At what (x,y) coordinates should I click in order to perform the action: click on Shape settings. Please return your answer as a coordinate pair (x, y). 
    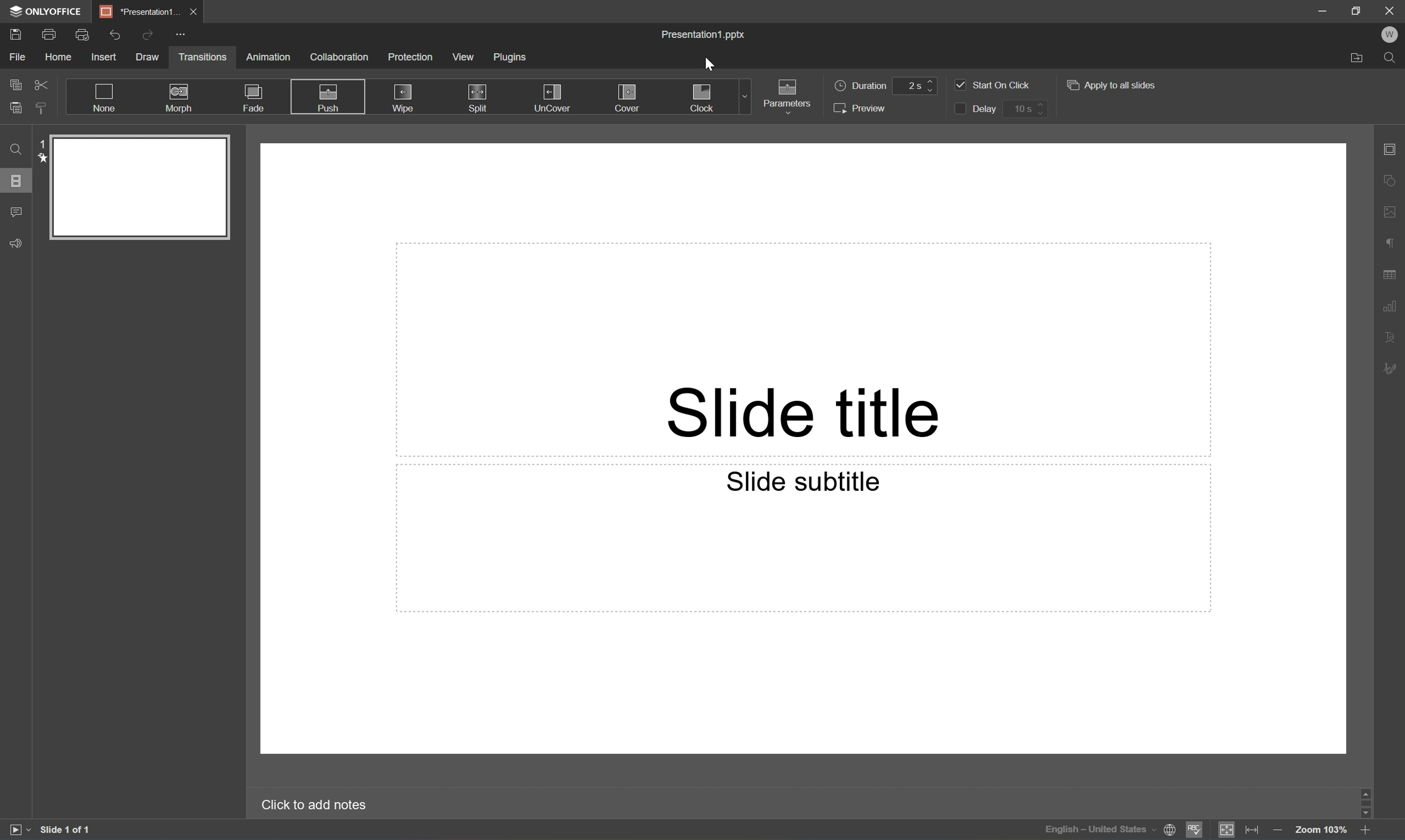
    Looking at the image, I should click on (1392, 179).